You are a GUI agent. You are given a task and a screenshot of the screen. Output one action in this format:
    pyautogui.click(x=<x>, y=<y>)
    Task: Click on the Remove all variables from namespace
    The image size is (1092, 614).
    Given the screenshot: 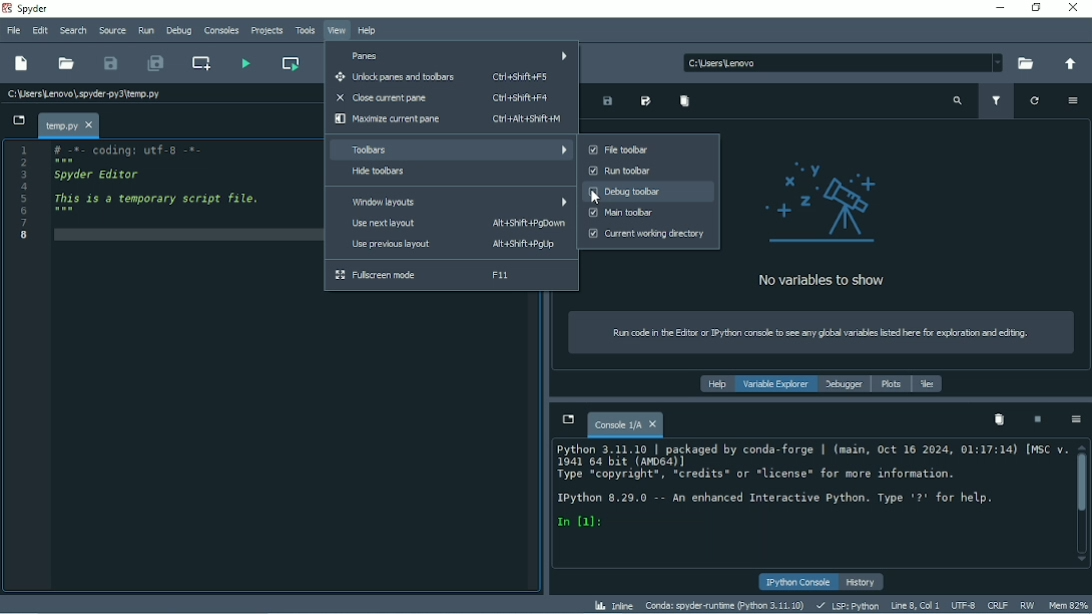 What is the action you would take?
    pyautogui.click(x=999, y=419)
    